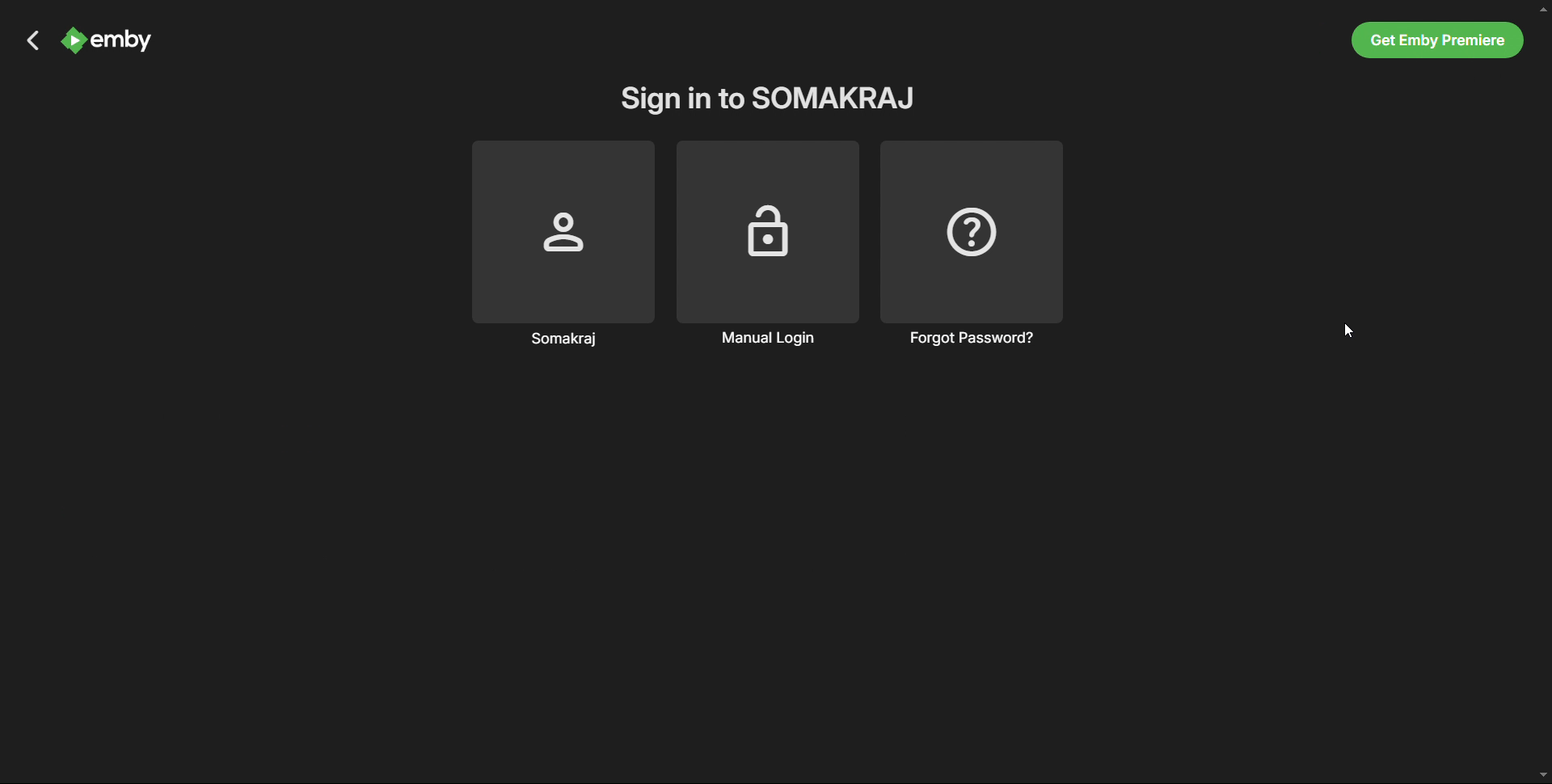 This screenshot has width=1552, height=784. What do you see at coordinates (1438, 40) in the screenshot?
I see `Get Emby premiere` at bounding box center [1438, 40].